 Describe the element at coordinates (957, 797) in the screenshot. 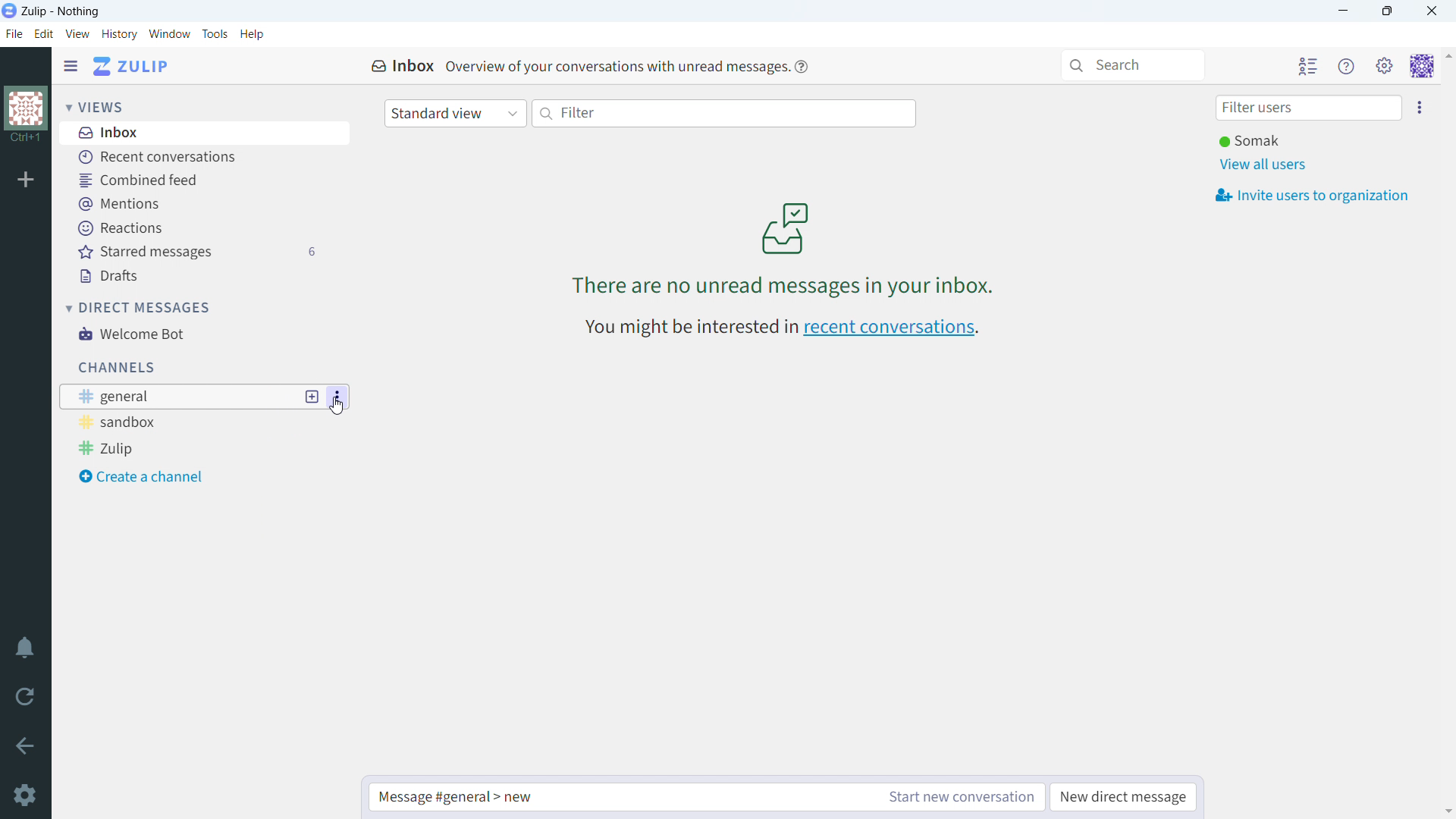

I see `start new conversation` at that location.